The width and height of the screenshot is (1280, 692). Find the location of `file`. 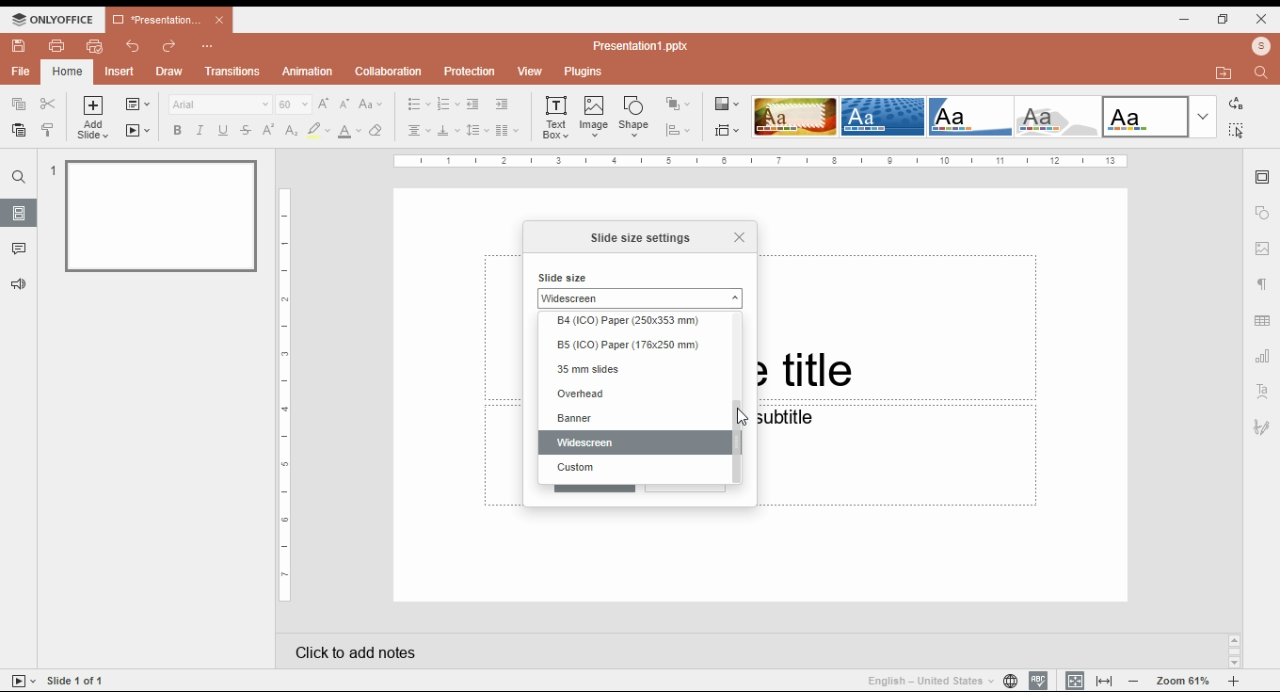

file is located at coordinates (21, 71).